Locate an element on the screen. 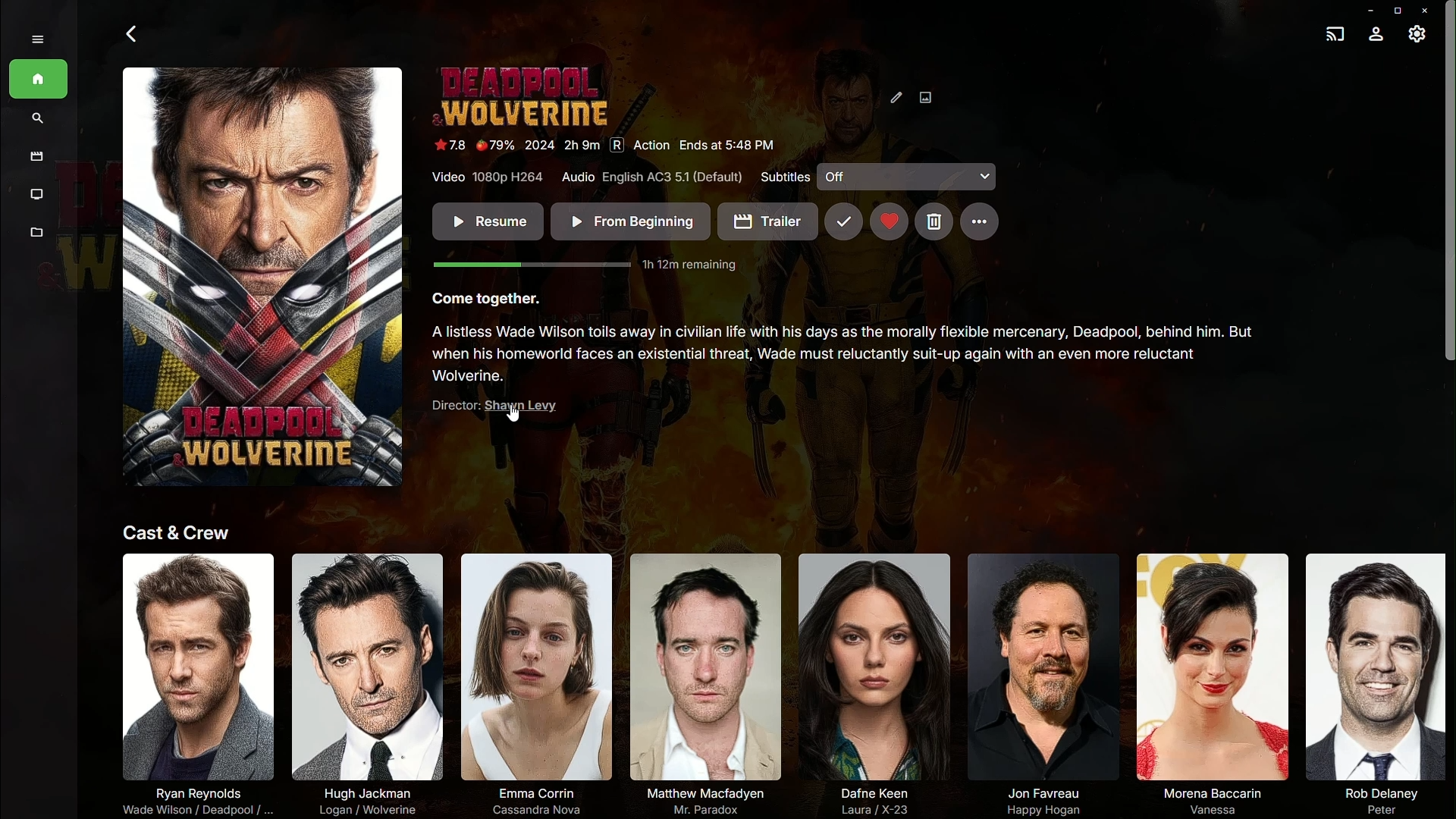 This screenshot has width=1456, height=819. Movies is located at coordinates (37, 157).